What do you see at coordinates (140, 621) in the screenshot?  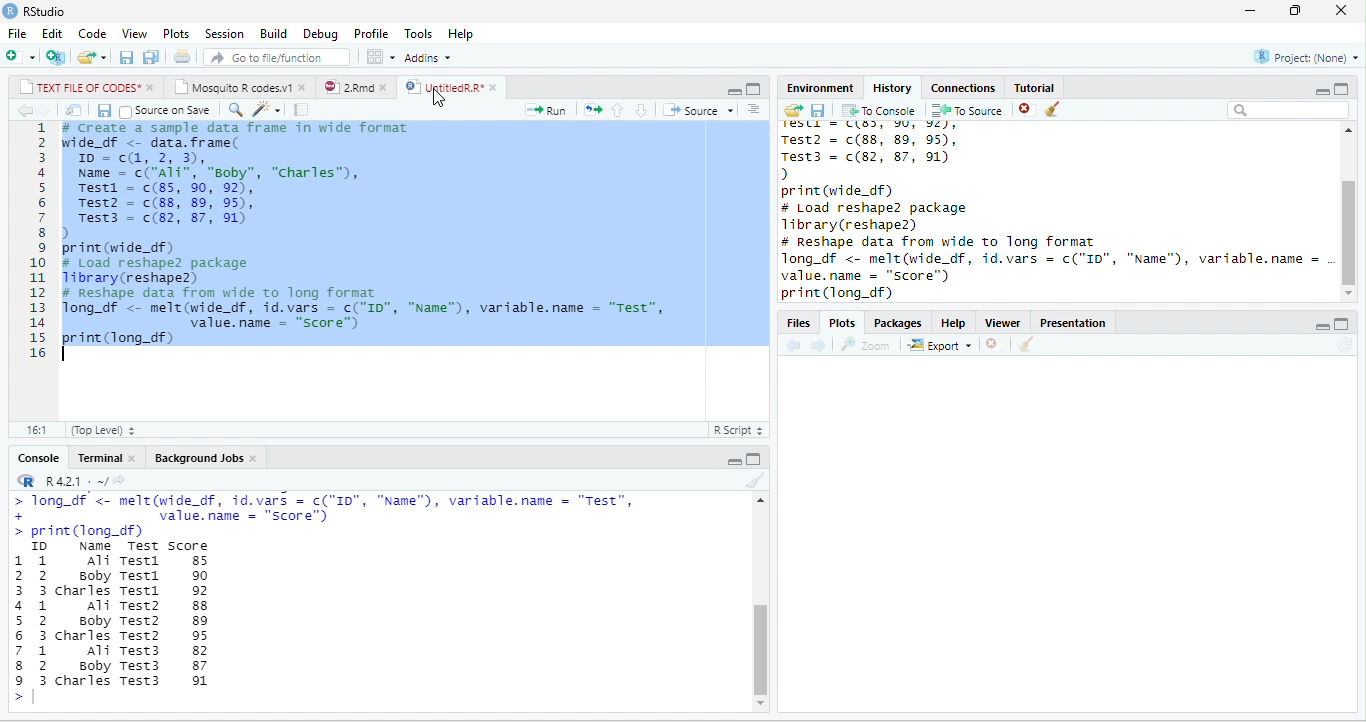 I see `Test1  Test1  Test1  Test2  Test2  Test2  Test3  Test3  Test3` at bounding box center [140, 621].